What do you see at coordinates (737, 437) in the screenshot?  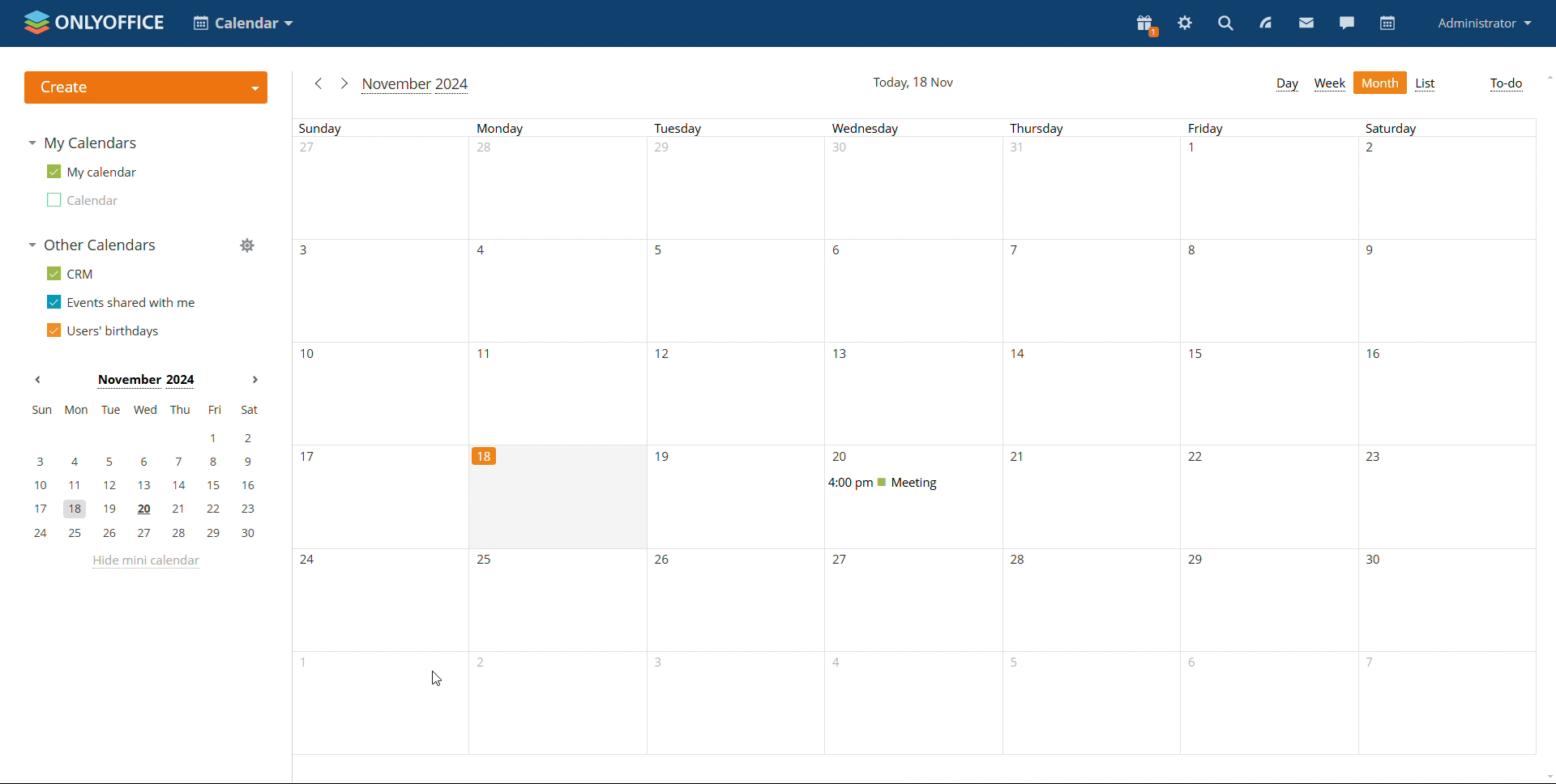 I see `tuesdays` at bounding box center [737, 437].